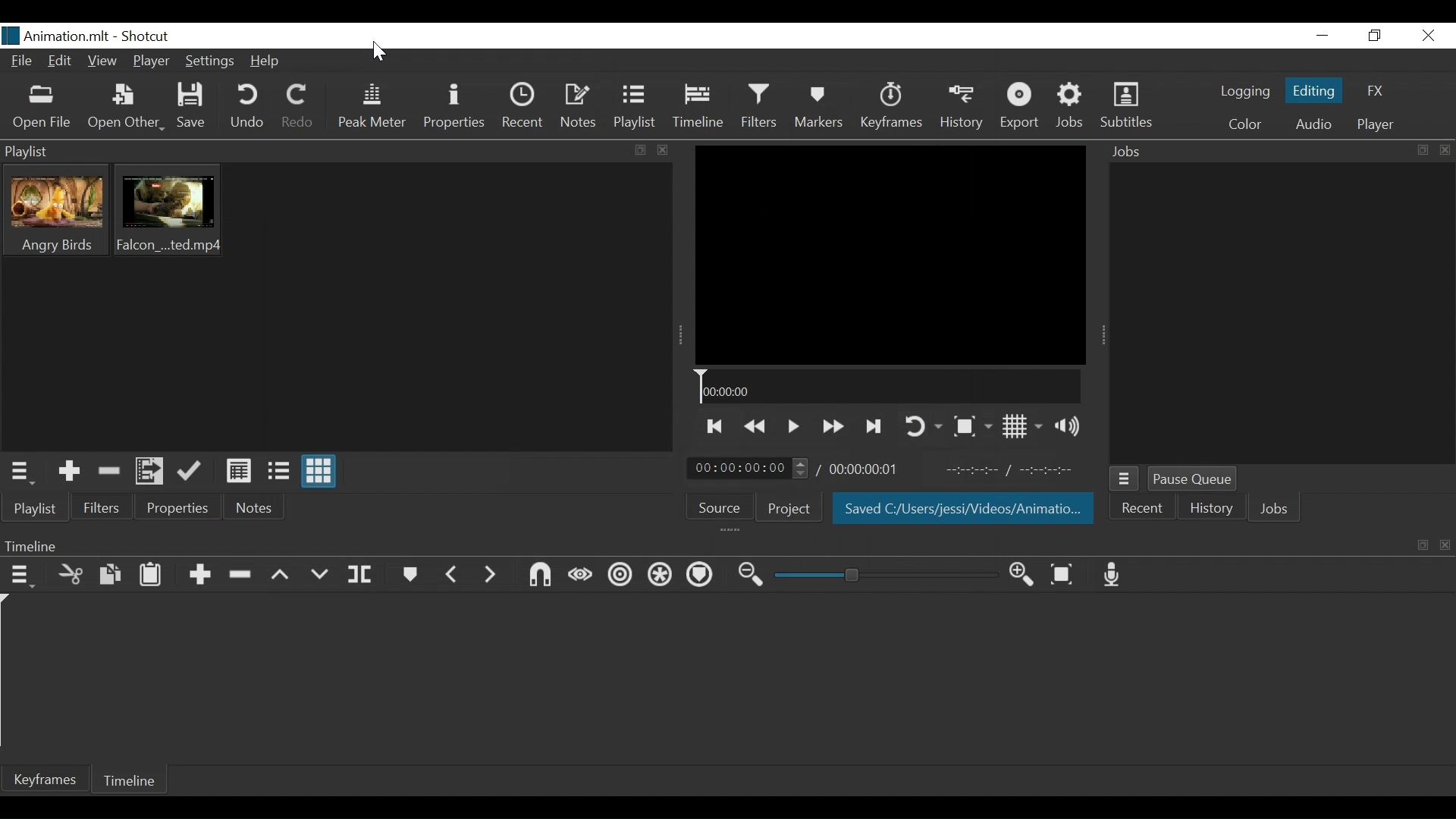  I want to click on Playlist, so click(634, 108).